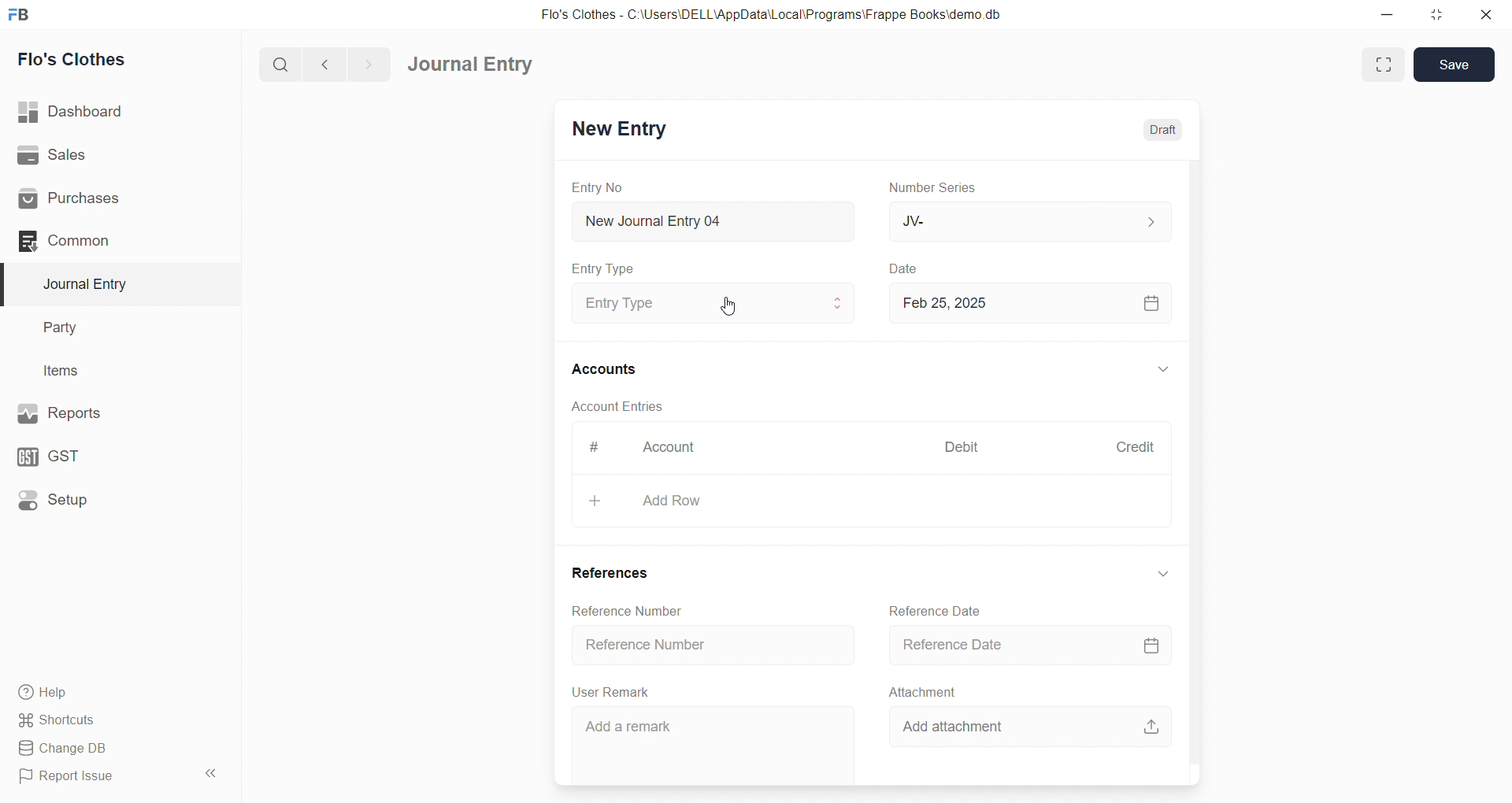 The image size is (1512, 803). Describe the element at coordinates (110, 328) in the screenshot. I see `Party` at that location.